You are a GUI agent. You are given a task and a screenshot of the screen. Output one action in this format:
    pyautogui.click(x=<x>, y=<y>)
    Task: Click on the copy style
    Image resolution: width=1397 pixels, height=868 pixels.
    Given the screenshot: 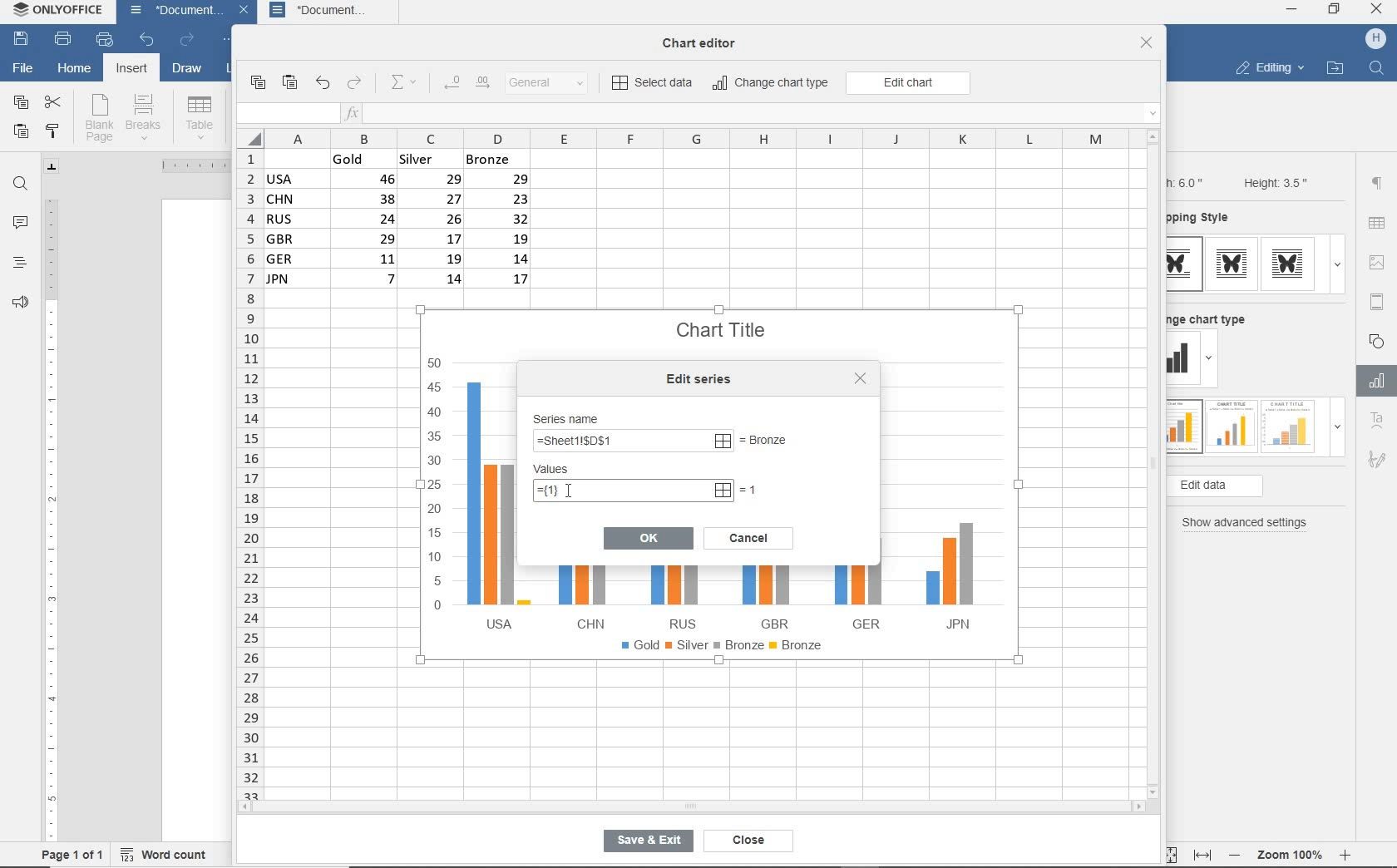 What is the action you would take?
    pyautogui.click(x=54, y=131)
    